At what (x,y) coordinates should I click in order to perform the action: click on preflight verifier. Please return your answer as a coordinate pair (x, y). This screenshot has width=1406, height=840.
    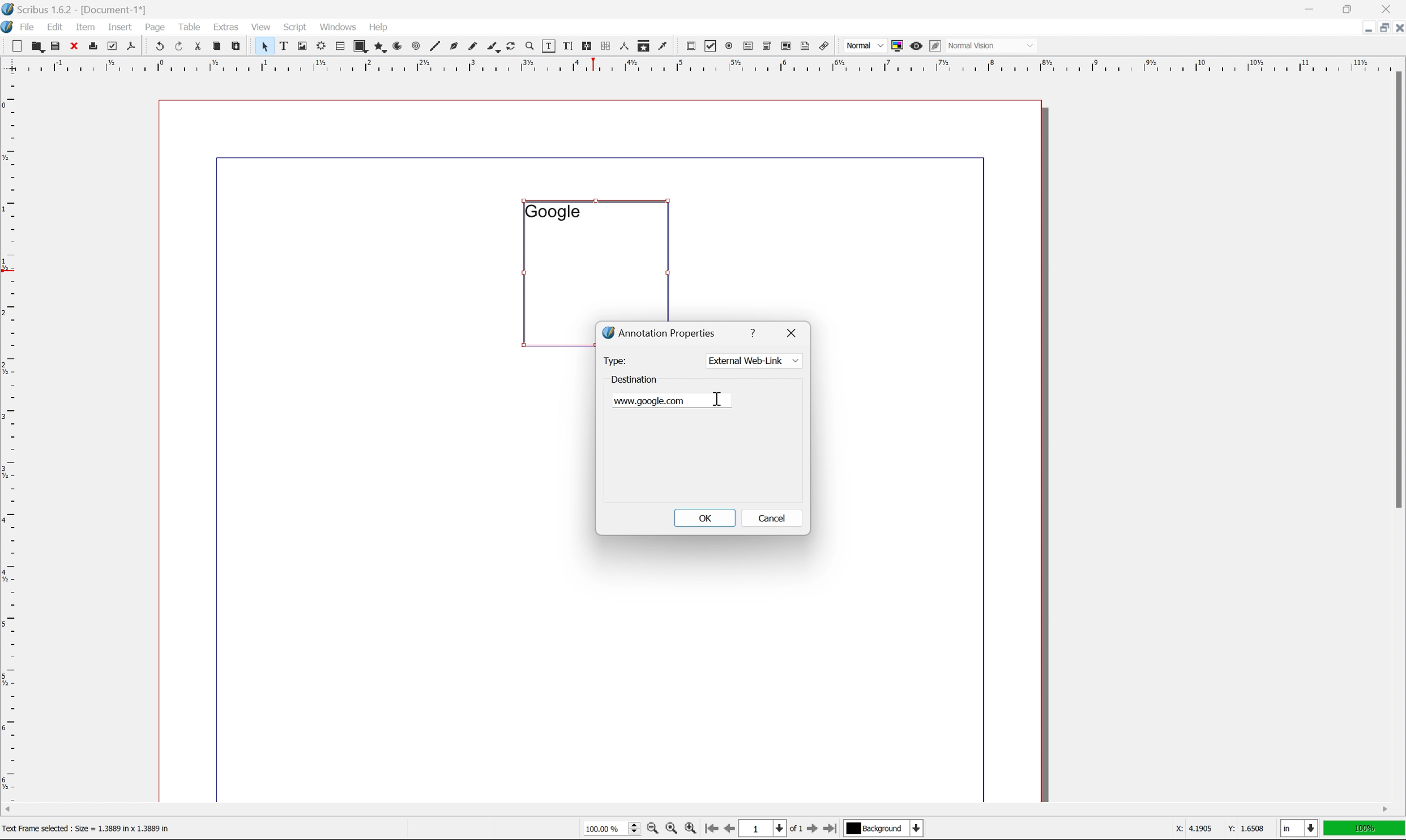
    Looking at the image, I should click on (113, 45).